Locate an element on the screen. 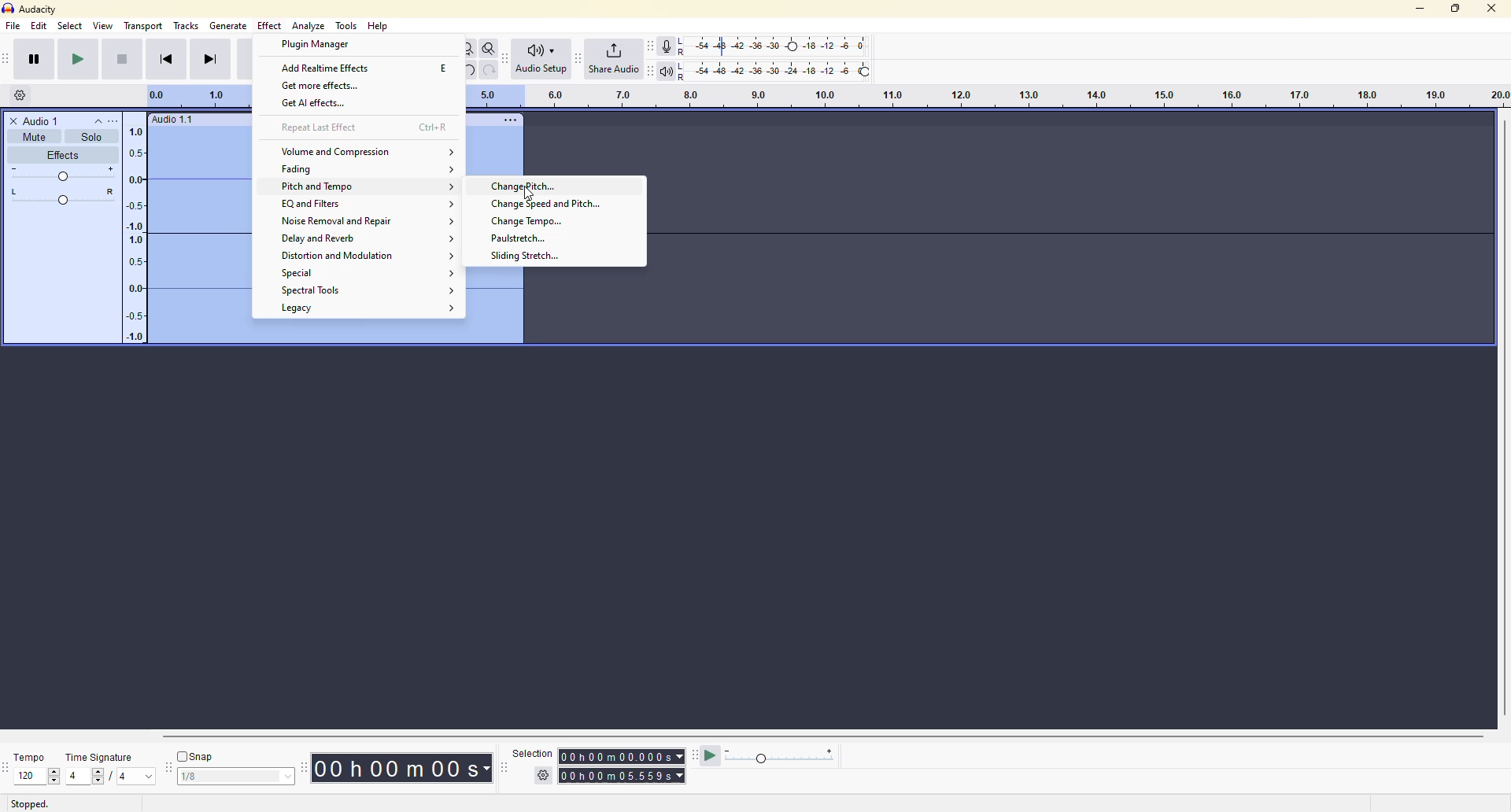 This screenshot has height=812, width=1511. plugin manager is located at coordinates (319, 45).